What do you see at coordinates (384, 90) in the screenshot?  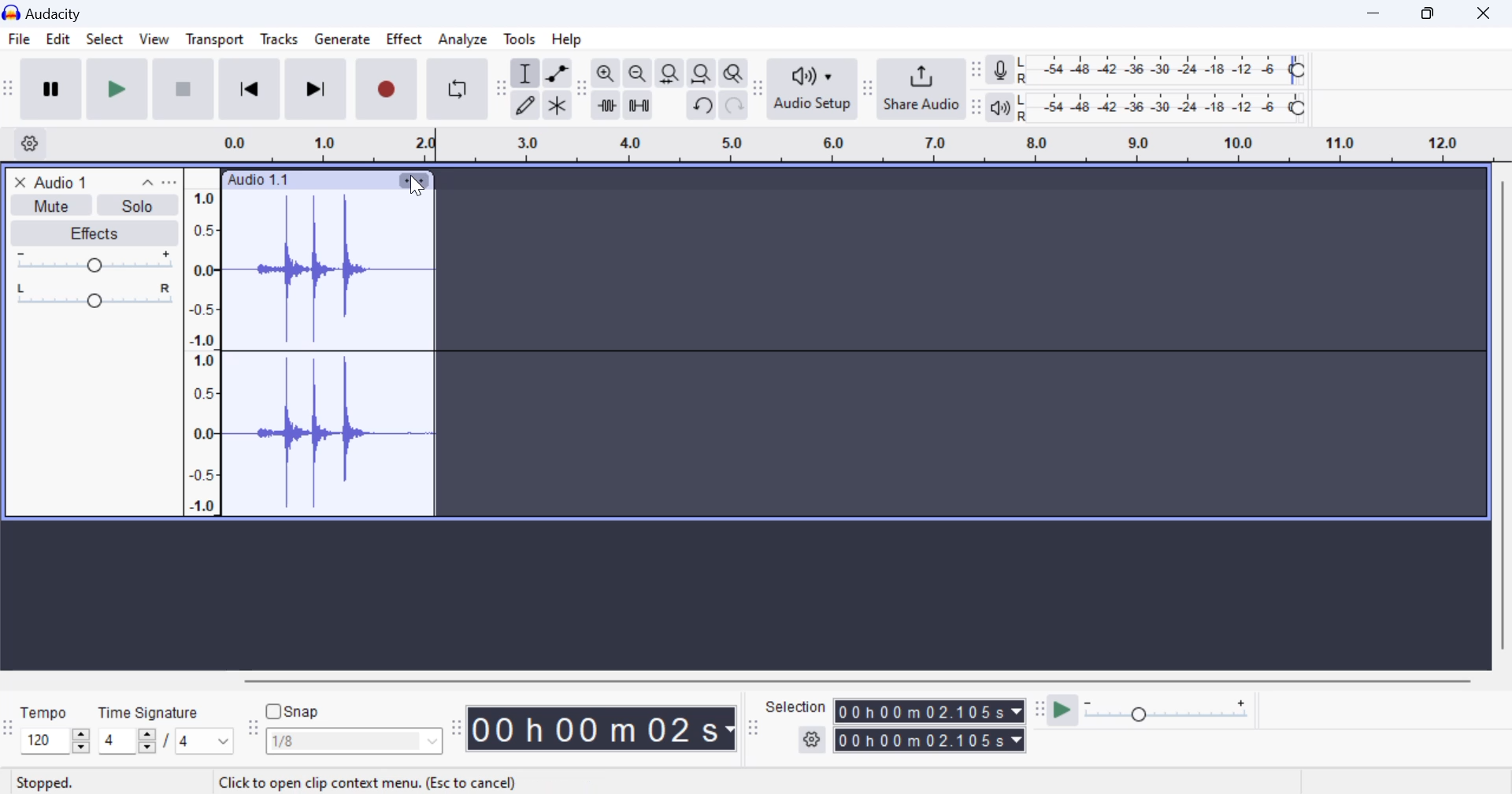 I see `Record` at bounding box center [384, 90].